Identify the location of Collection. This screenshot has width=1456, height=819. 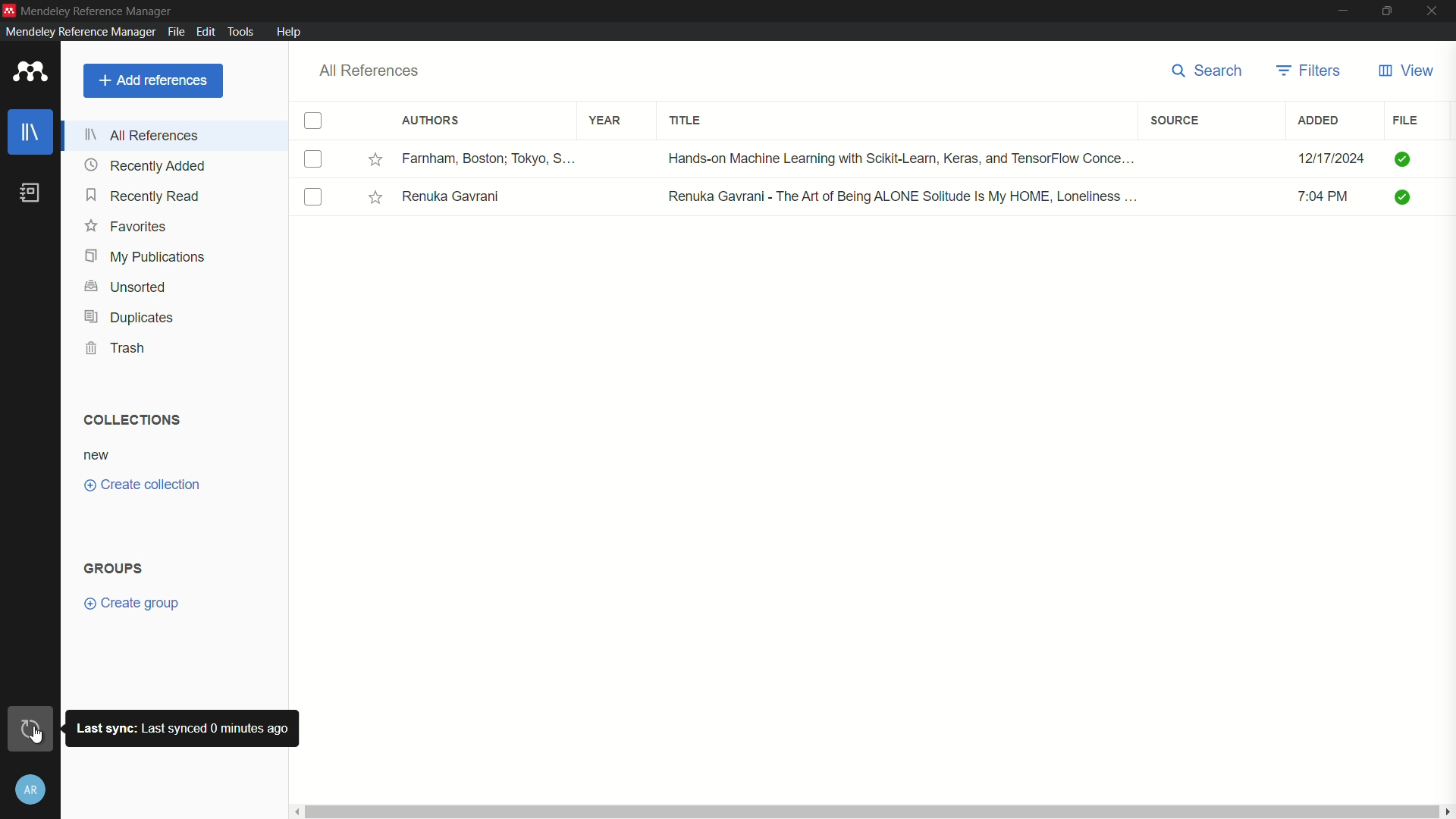
(98, 456).